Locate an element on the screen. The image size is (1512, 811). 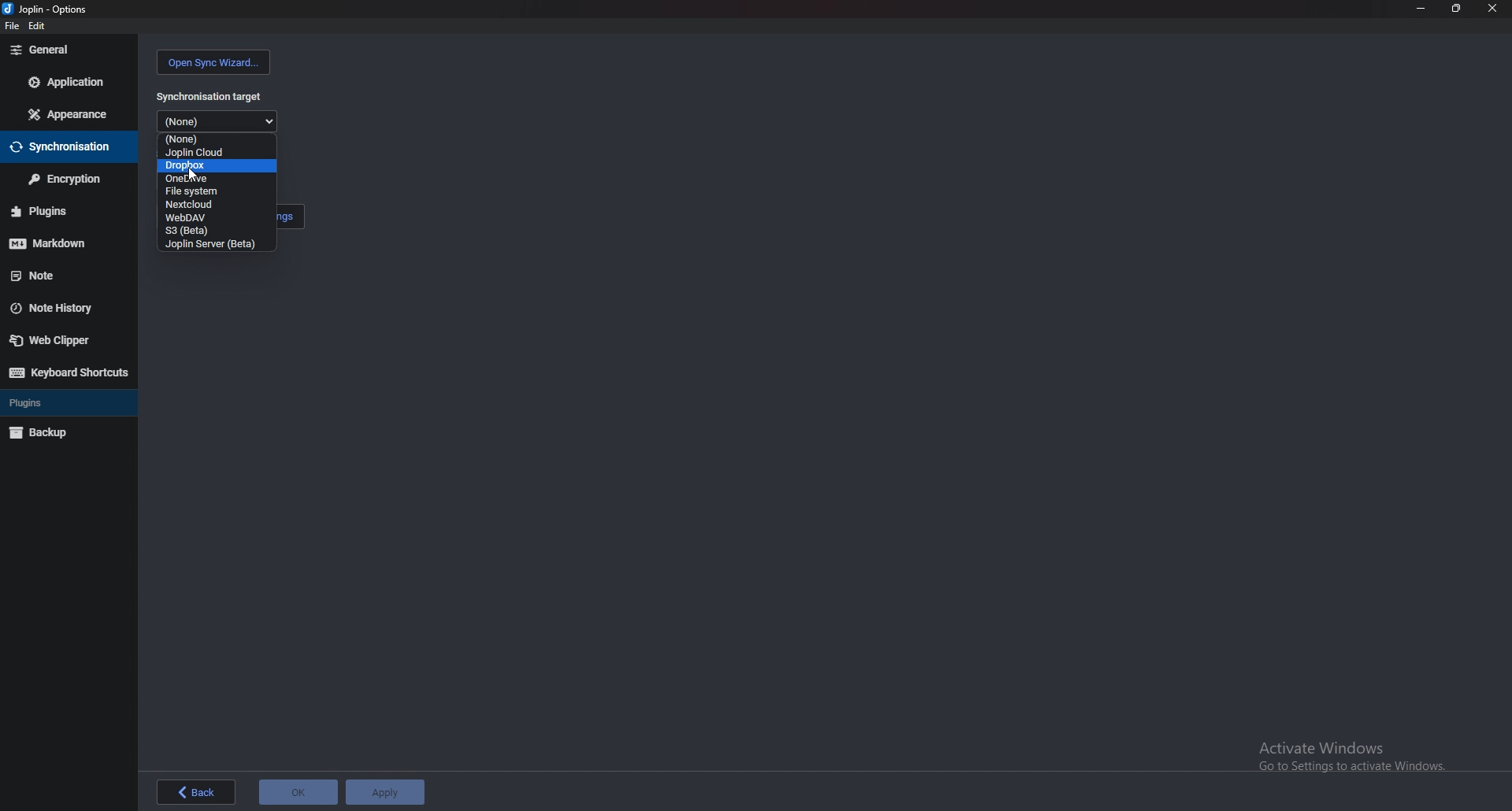
minimize is located at coordinates (1420, 7).